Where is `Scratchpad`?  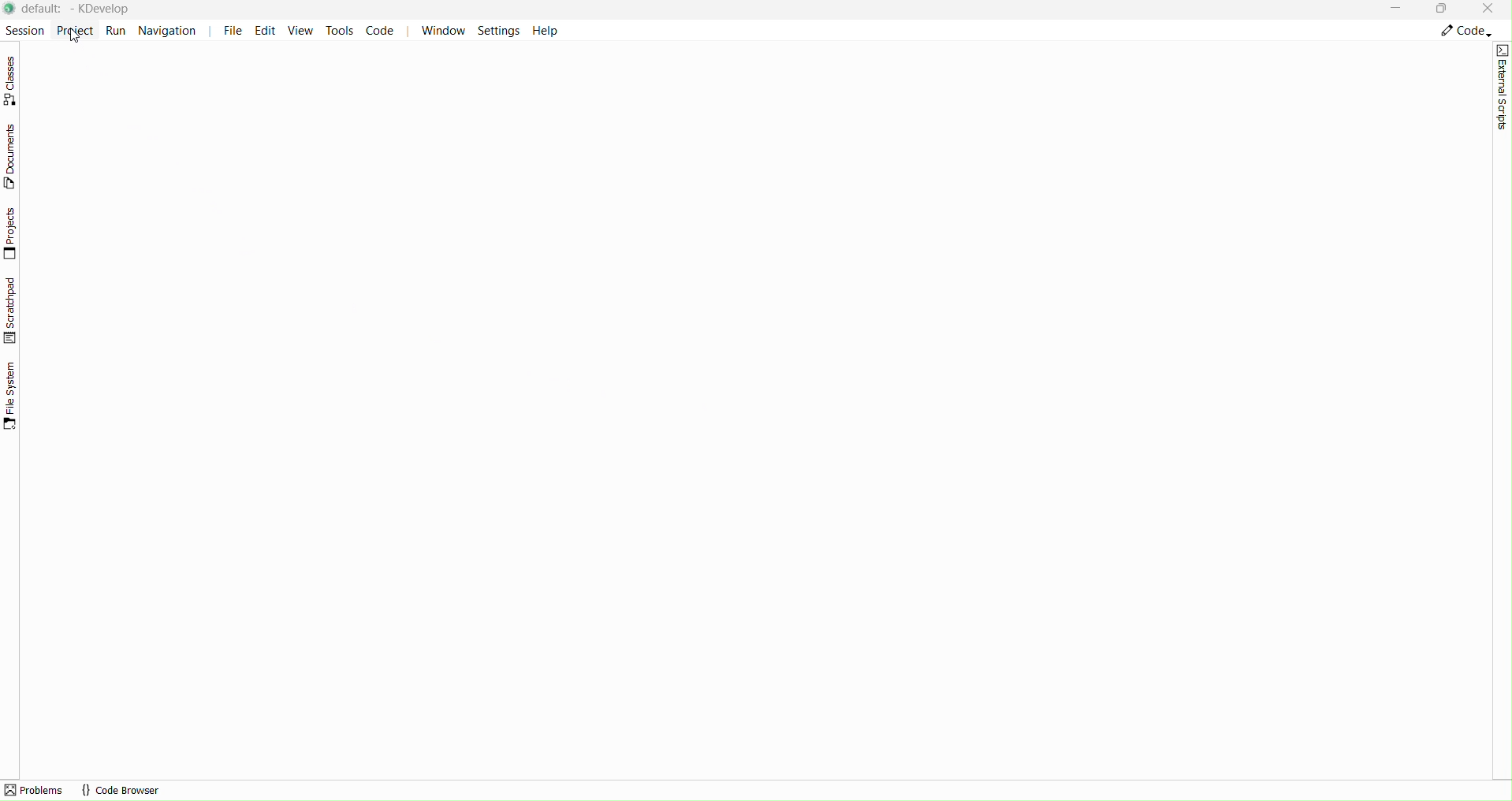 Scratchpad is located at coordinates (12, 310).